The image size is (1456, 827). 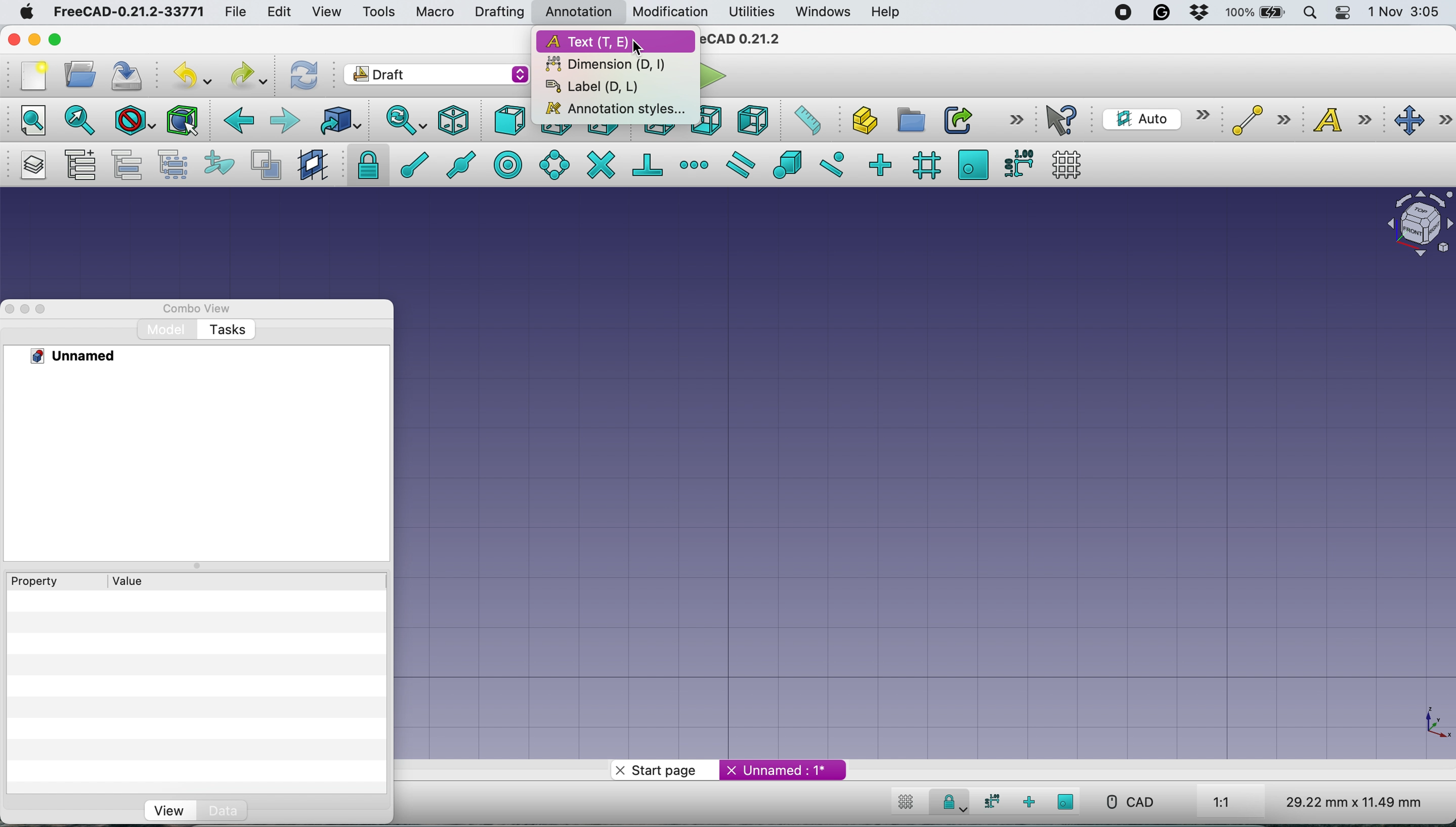 I want to click on cad, so click(x=1135, y=804).